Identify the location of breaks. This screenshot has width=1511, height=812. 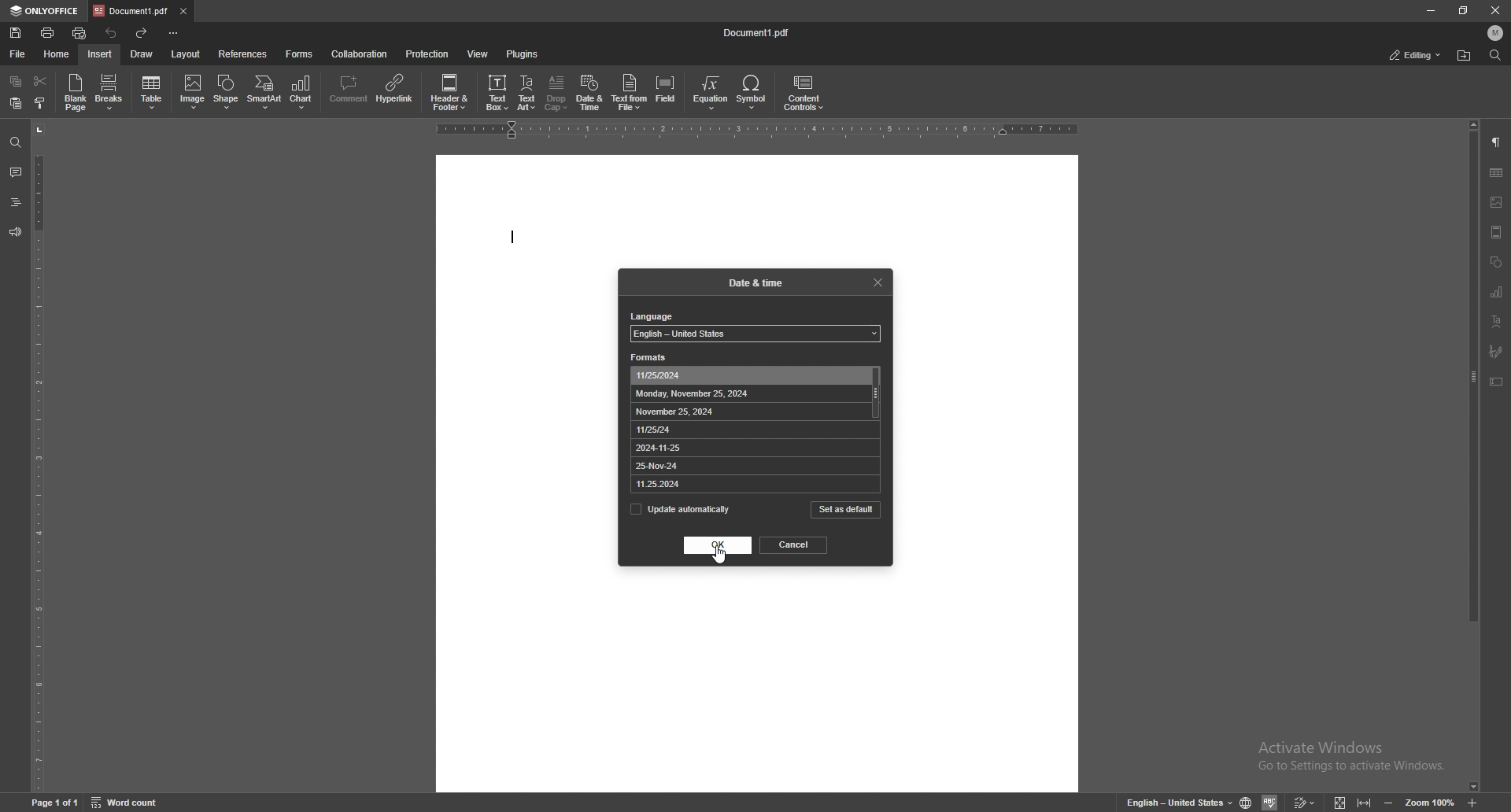
(110, 92).